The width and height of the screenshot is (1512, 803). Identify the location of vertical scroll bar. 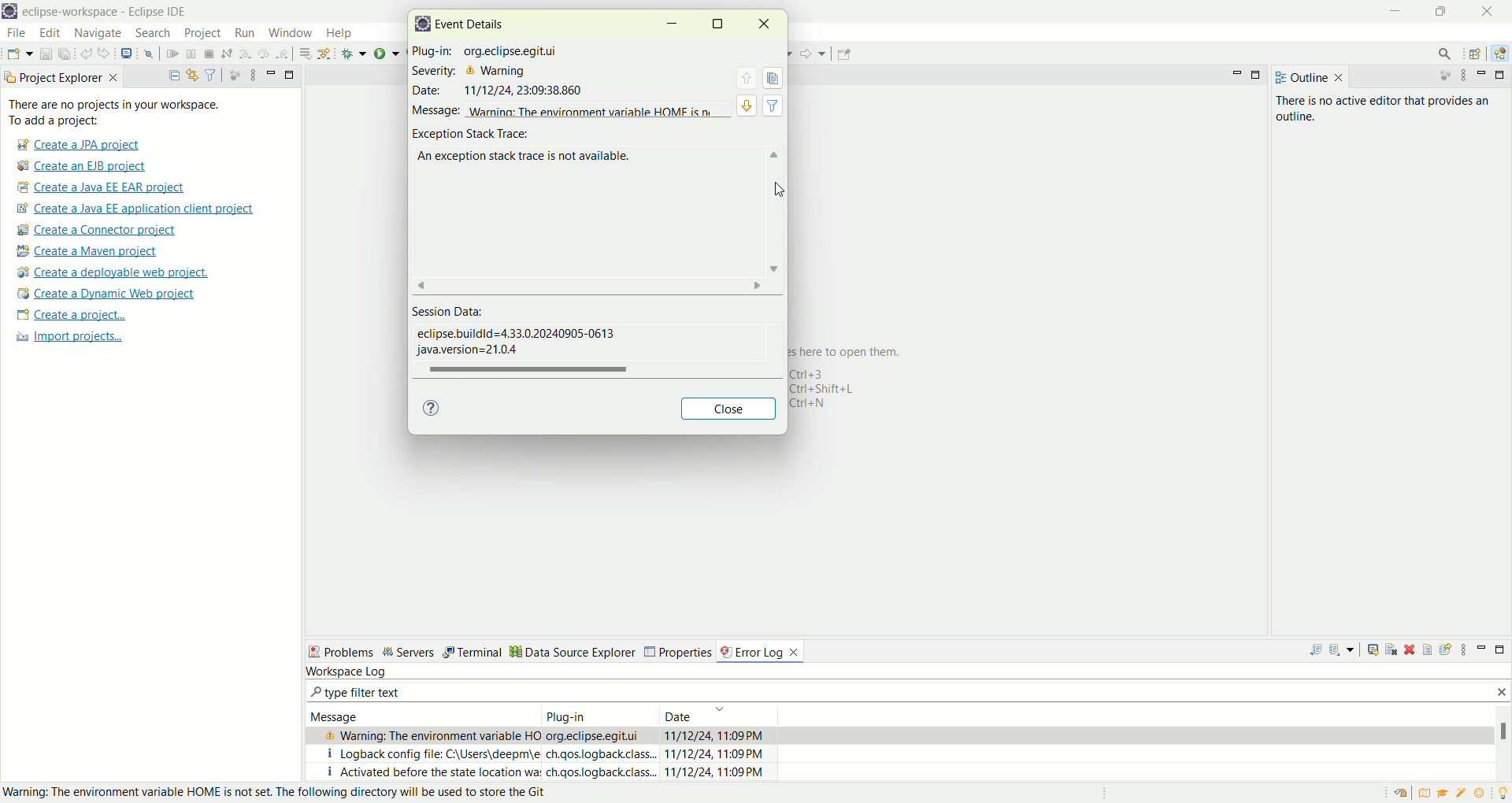
(1503, 743).